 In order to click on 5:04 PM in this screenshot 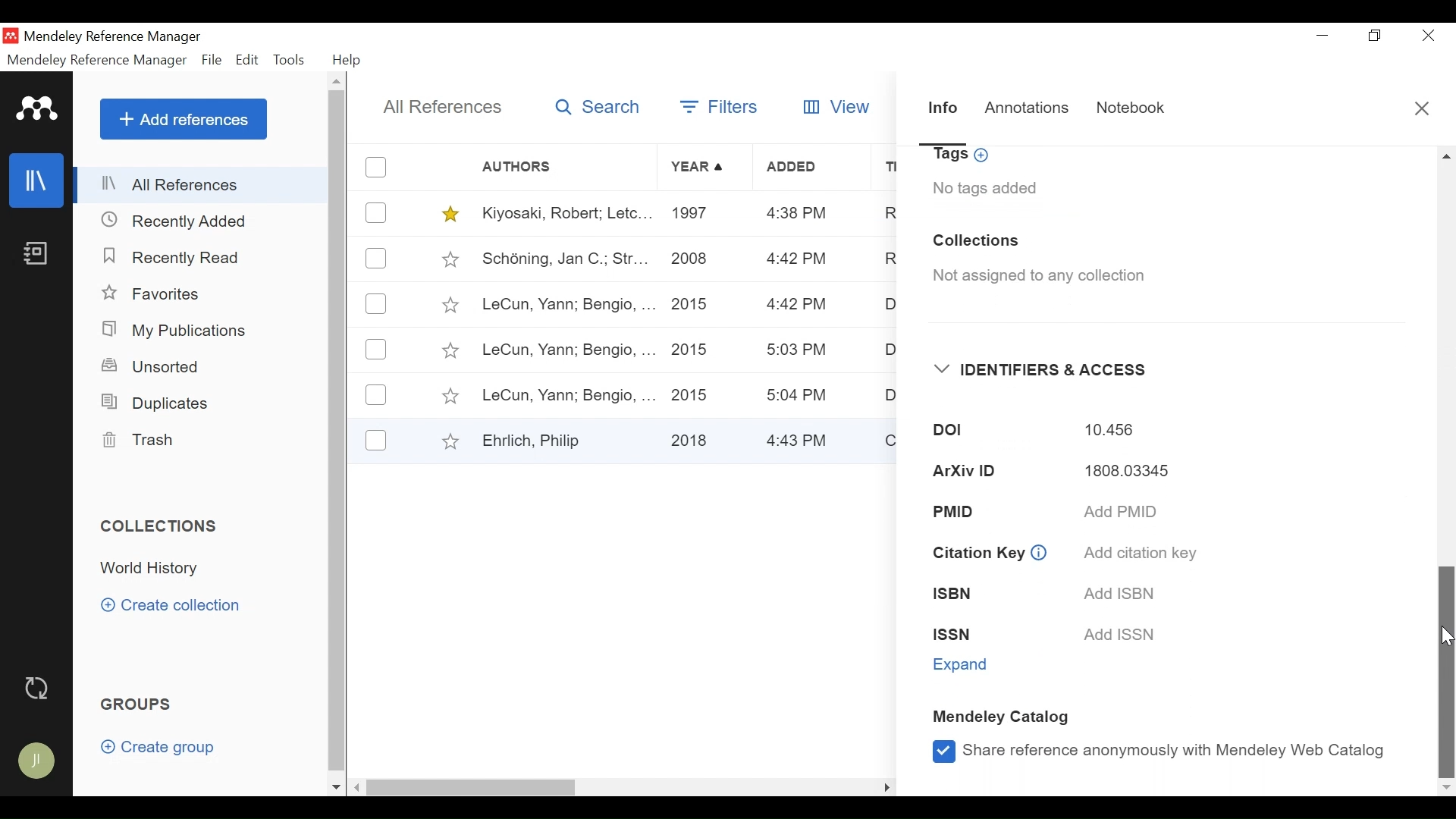, I will do `click(799, 395)`.